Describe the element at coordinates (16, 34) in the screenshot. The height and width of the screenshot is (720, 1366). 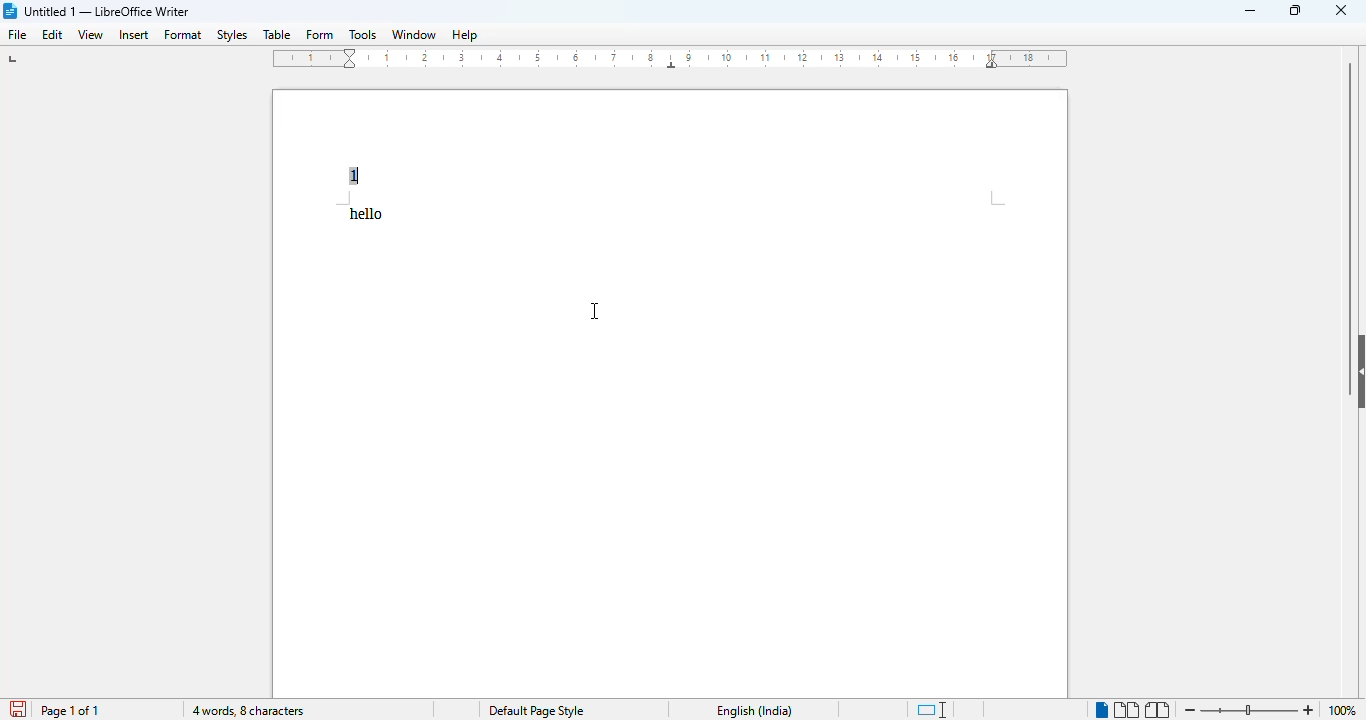
I see `file` at that location.